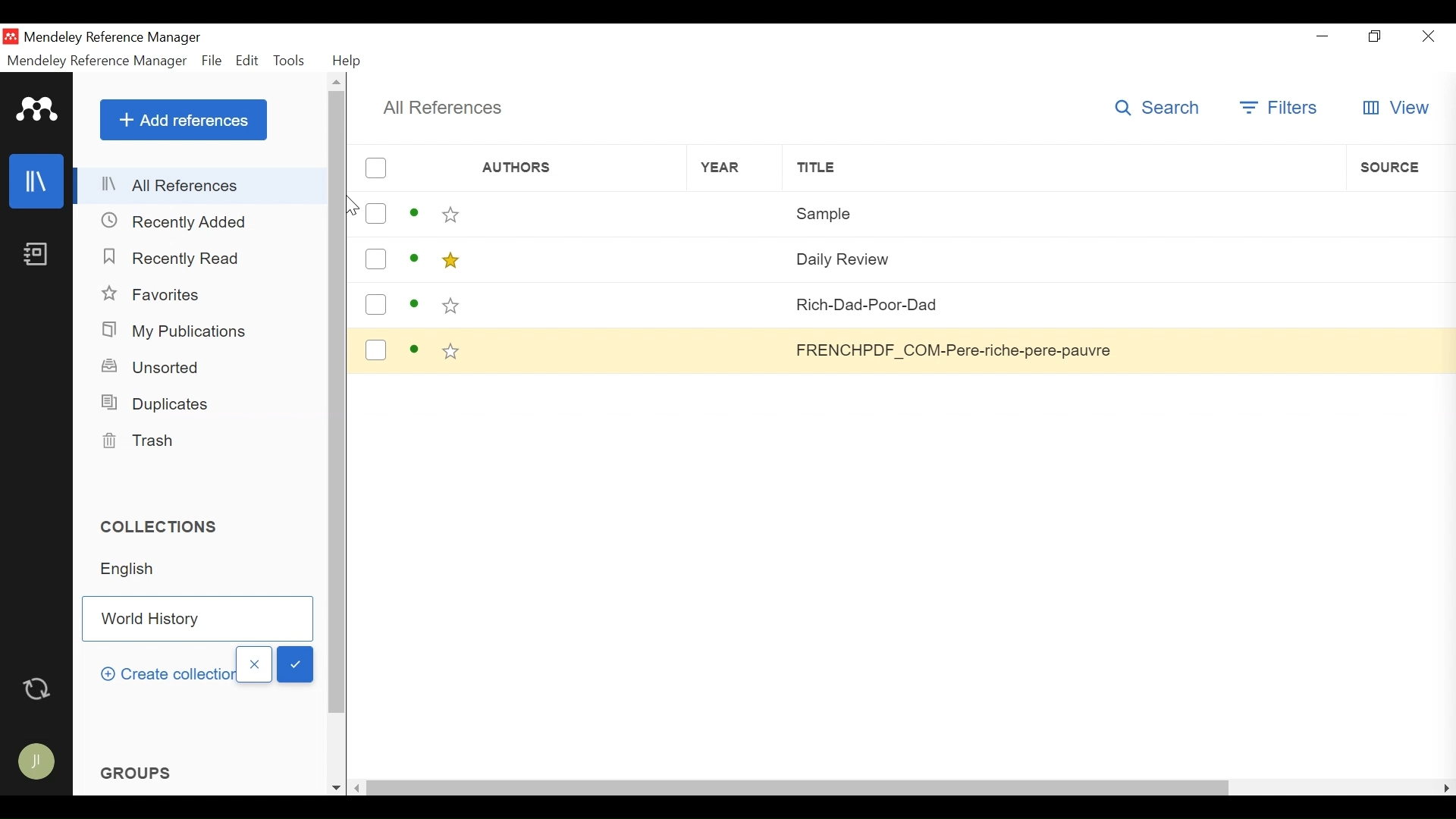  What do you see at coordinates (38, 686) in the screenshot?
I see `Sync` at bounding box center [38, 686].